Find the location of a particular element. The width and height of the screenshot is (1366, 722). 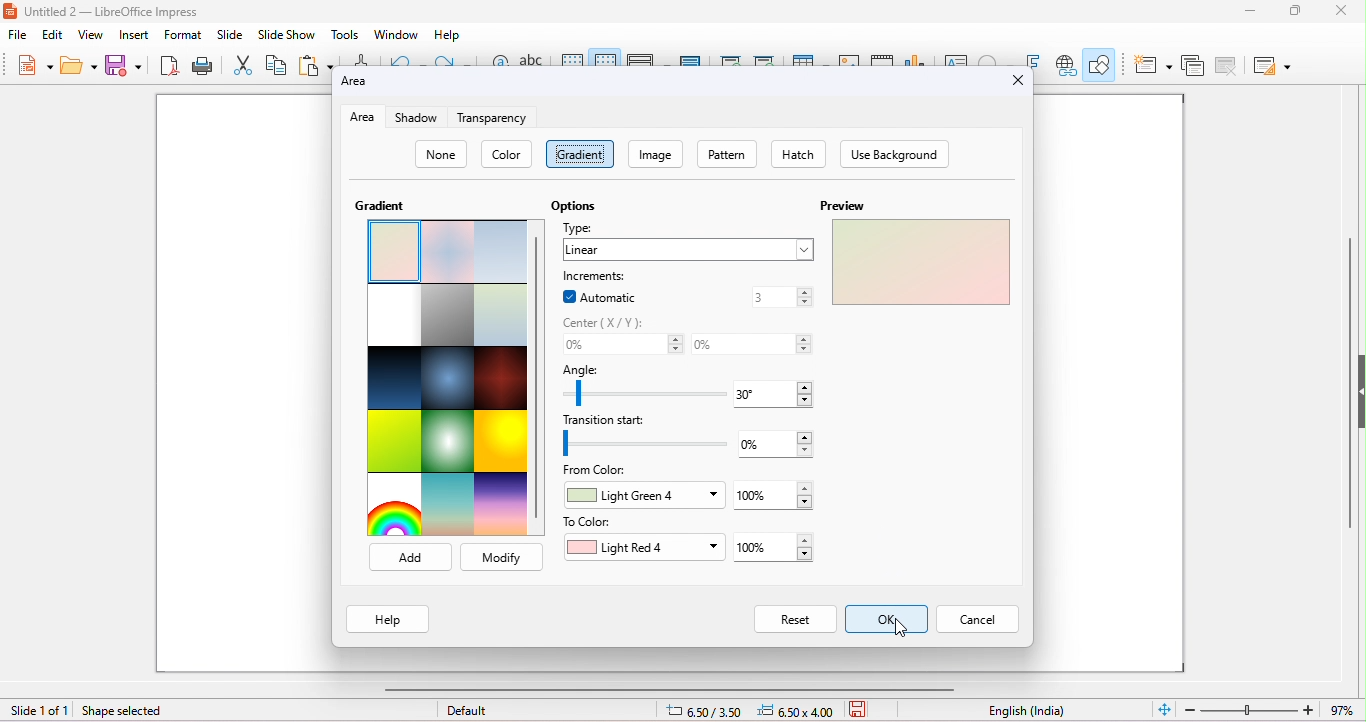

paste is located at coordinates (315, 63).